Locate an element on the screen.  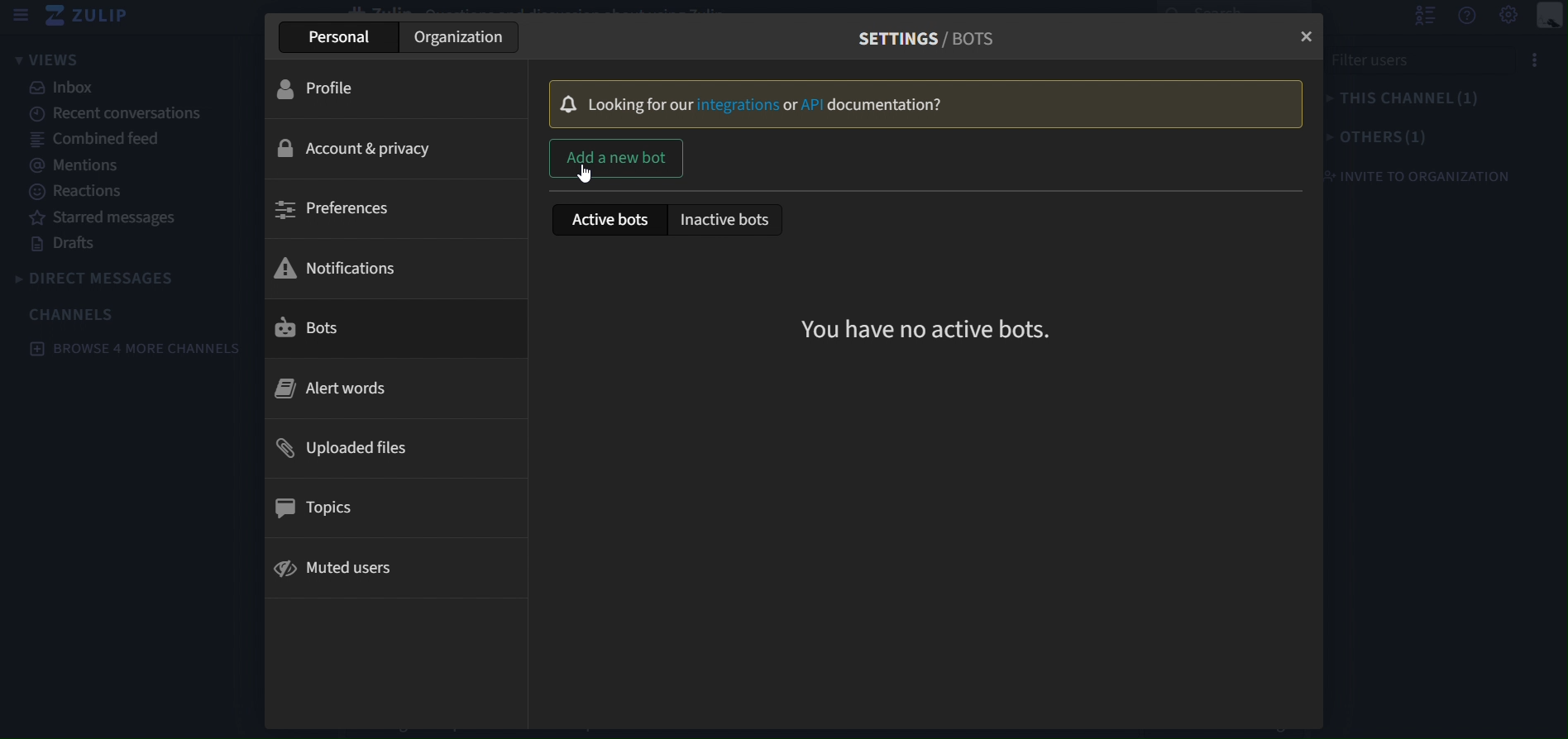
add a new bot is located at coordinates (615, 160).